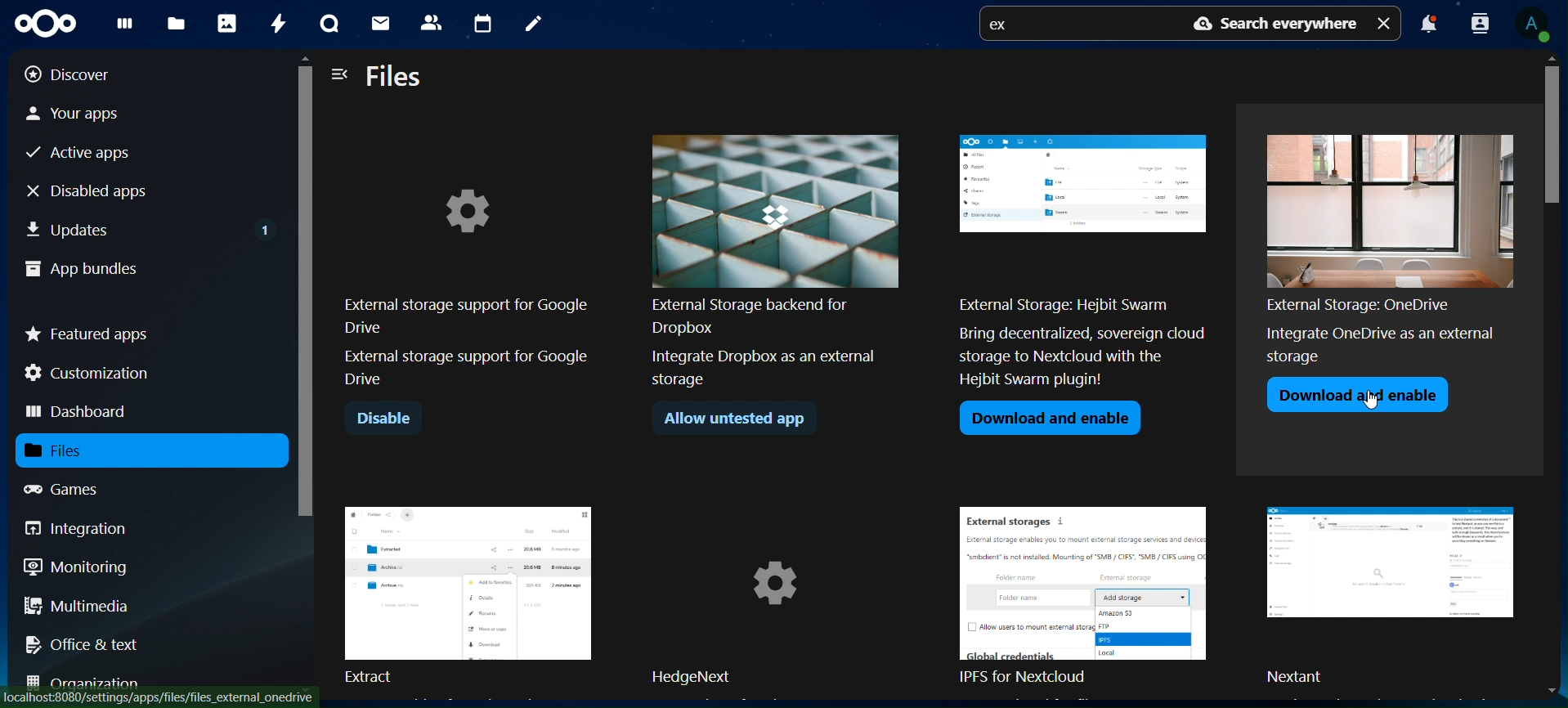 The height and width of the screenshot is (708, 1568). I want to click on notifications, so click(1428, 26).